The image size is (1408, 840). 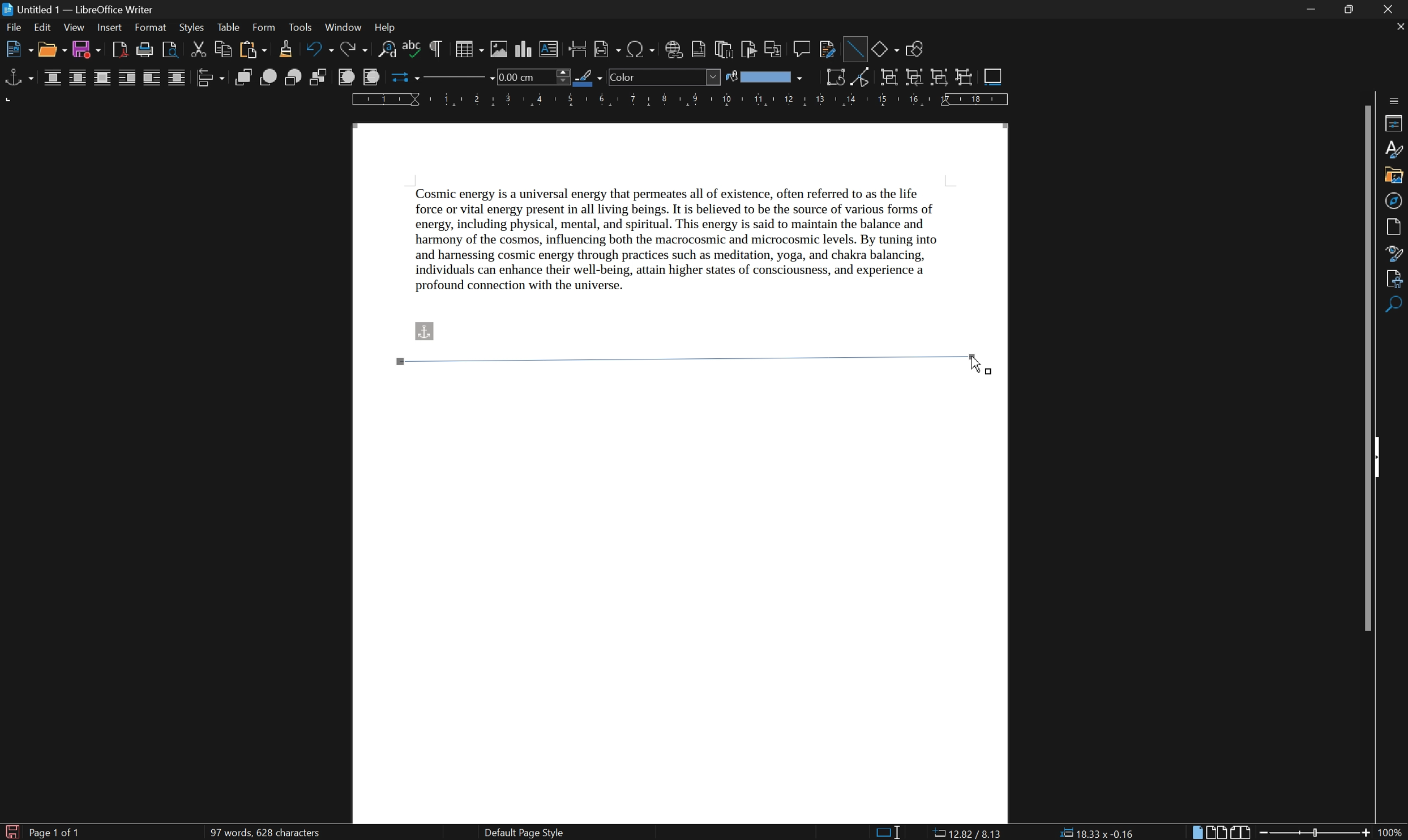 I want to click on ungroup, so click(x=965, y=78).